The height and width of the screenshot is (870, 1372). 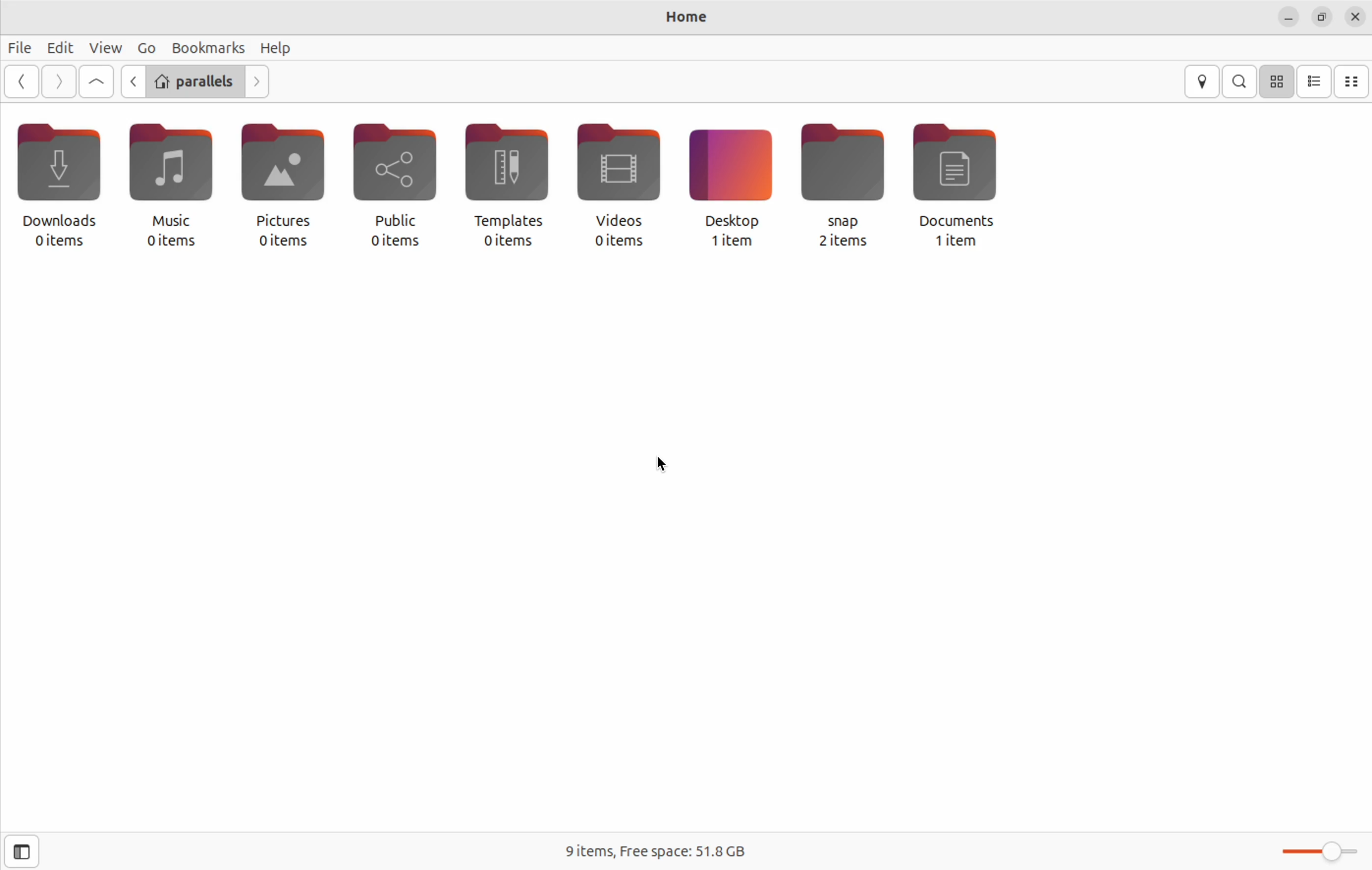 I want to click on cursor, so click(x=663, y=461).